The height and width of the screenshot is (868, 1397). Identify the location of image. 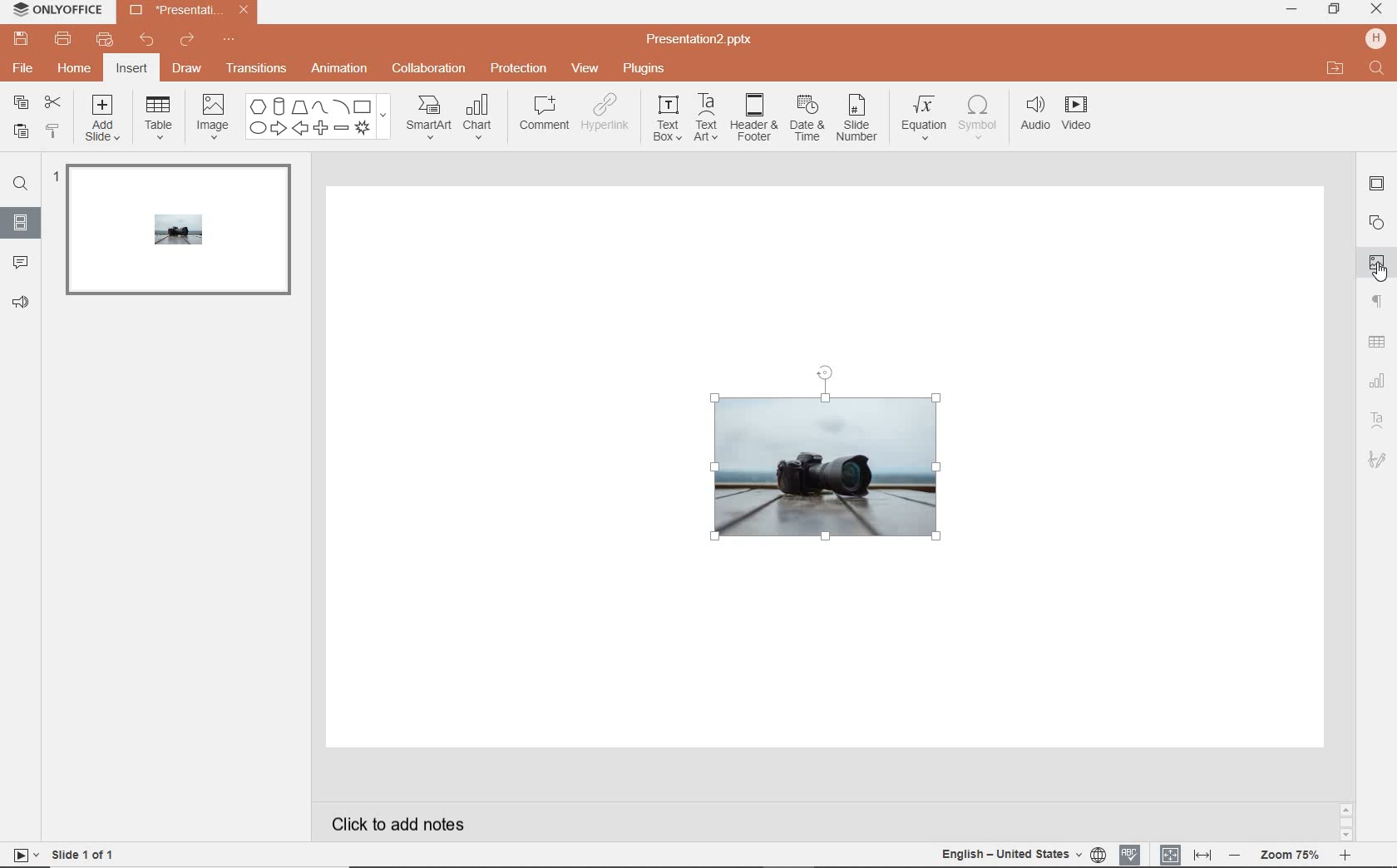
(212, 116).